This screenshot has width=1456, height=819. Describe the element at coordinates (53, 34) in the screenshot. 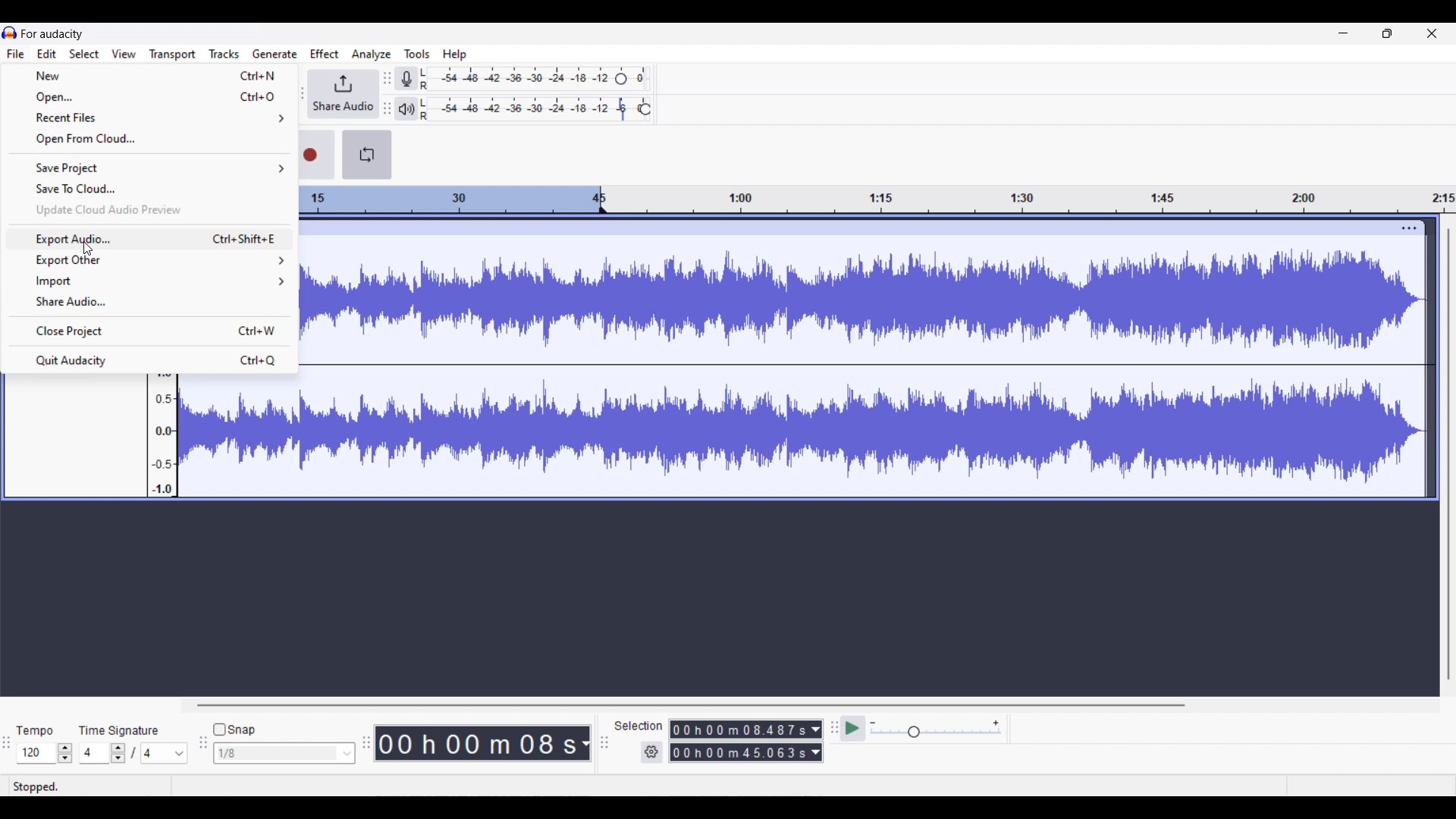

I see `Project name - For audacity` at that location.